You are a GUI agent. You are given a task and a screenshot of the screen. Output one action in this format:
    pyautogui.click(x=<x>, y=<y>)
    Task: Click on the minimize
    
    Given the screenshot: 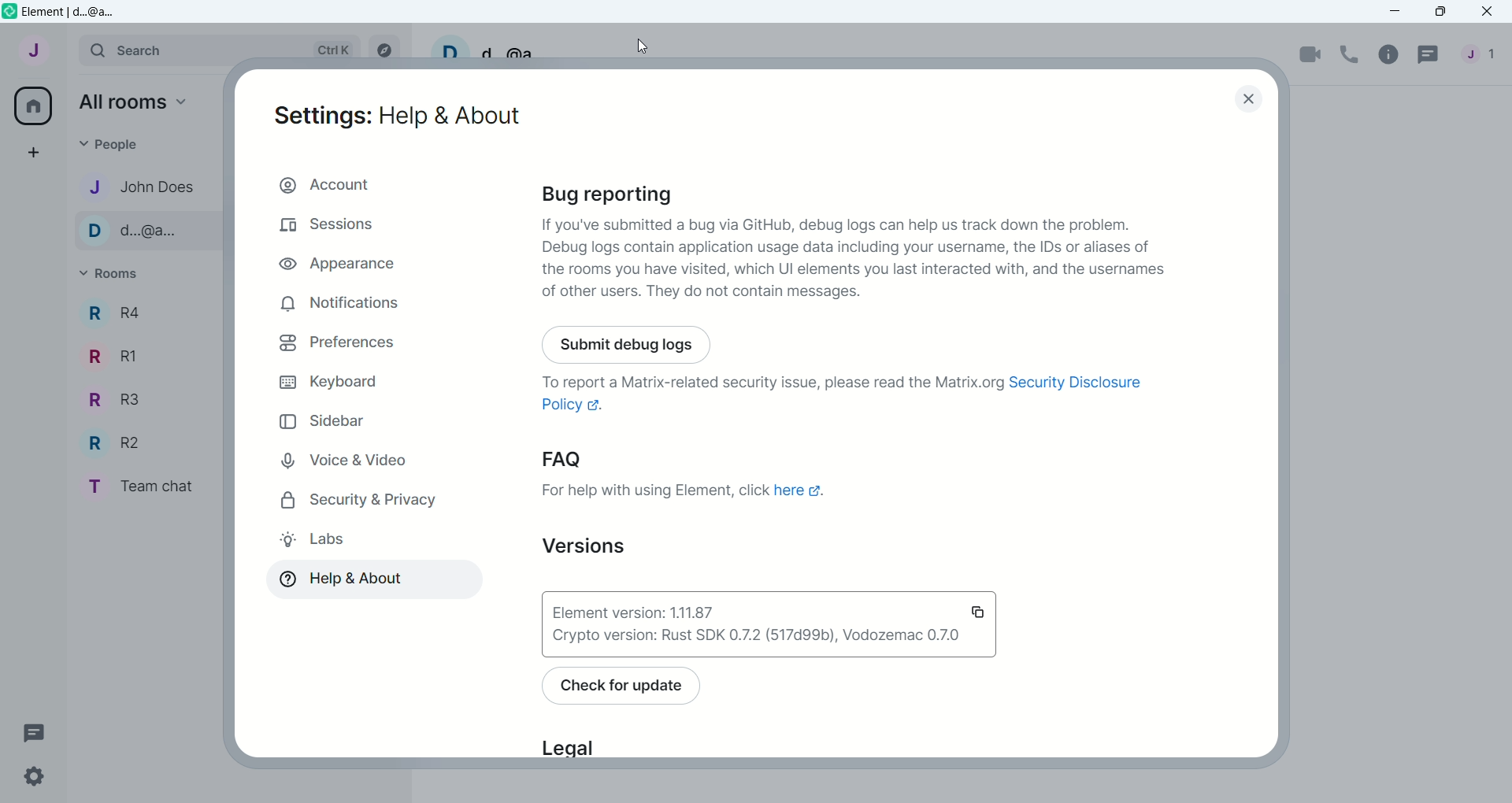 What is the action you would take?
    pyautogui.click(x=1398, y=12)
    